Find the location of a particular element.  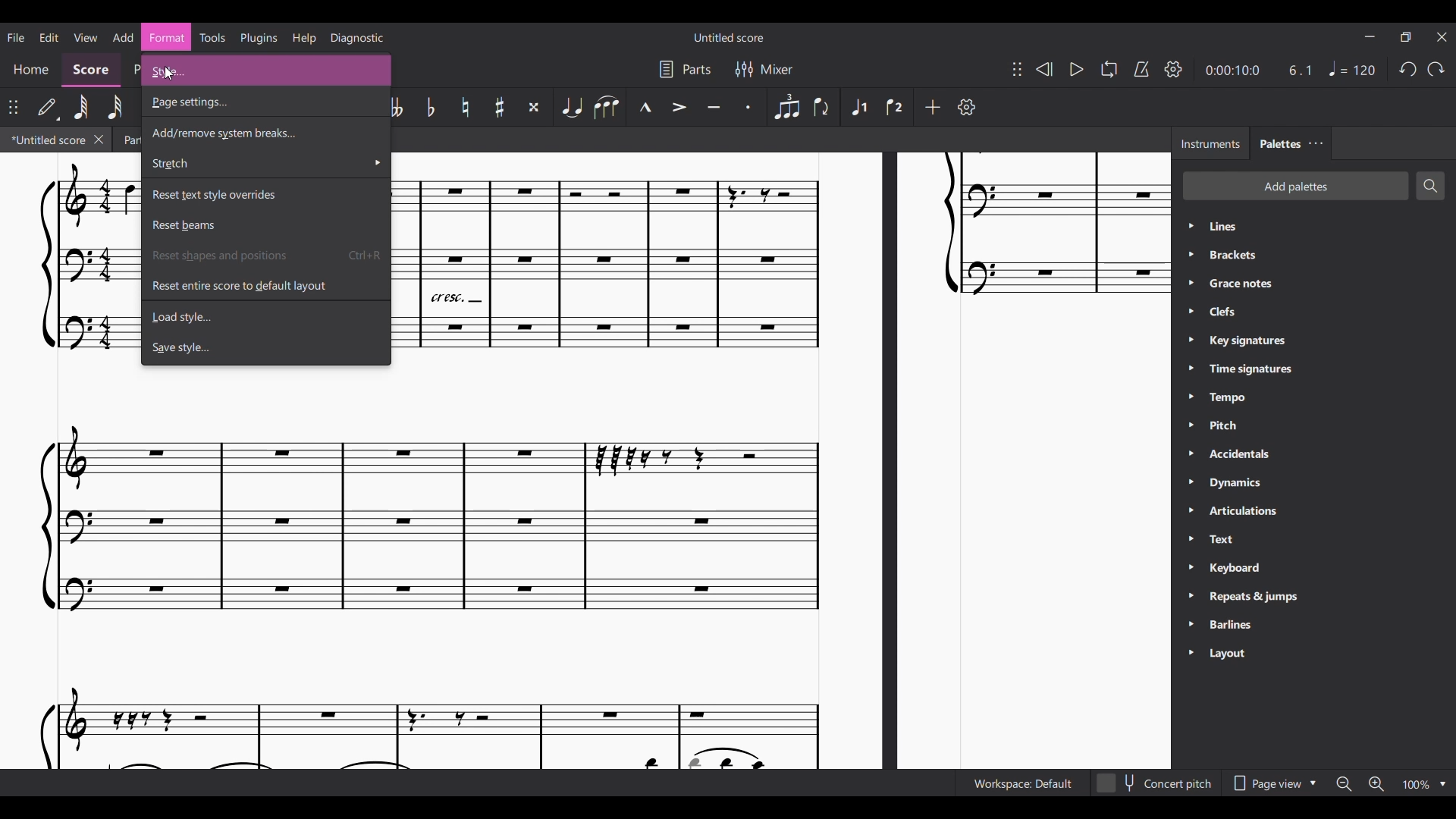

Instruments tab is located at coordinates (1210, 143).